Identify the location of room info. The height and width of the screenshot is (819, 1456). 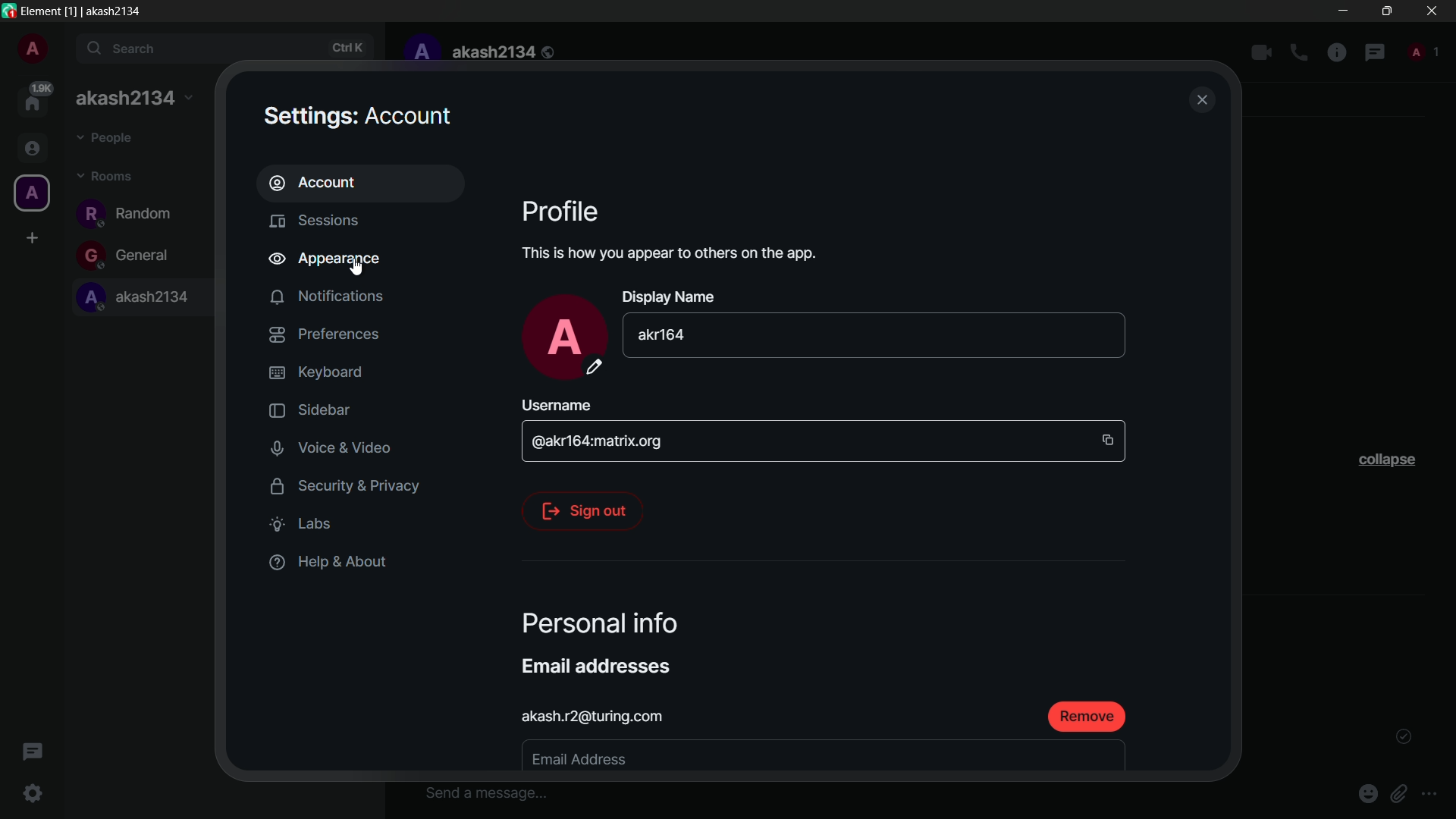
(1337, 54).